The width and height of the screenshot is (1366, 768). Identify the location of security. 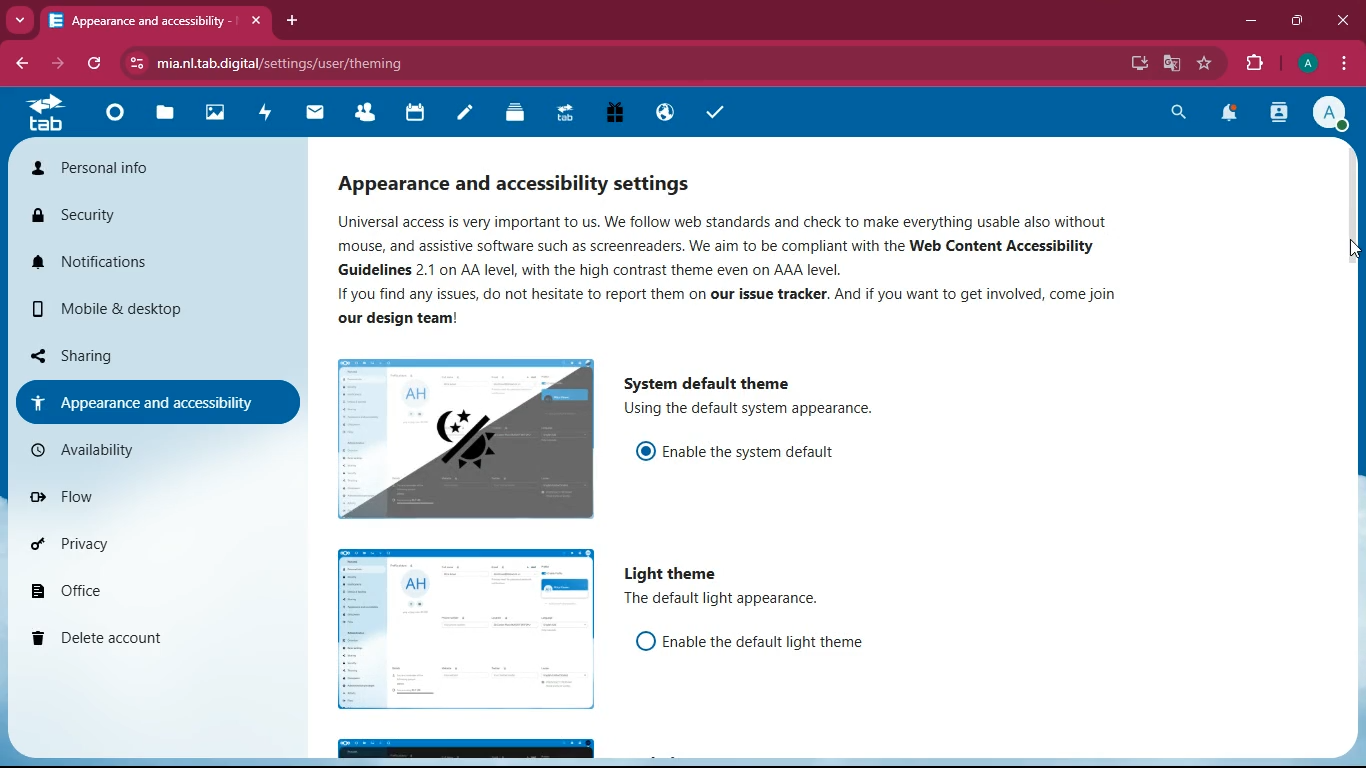
(131, 218).